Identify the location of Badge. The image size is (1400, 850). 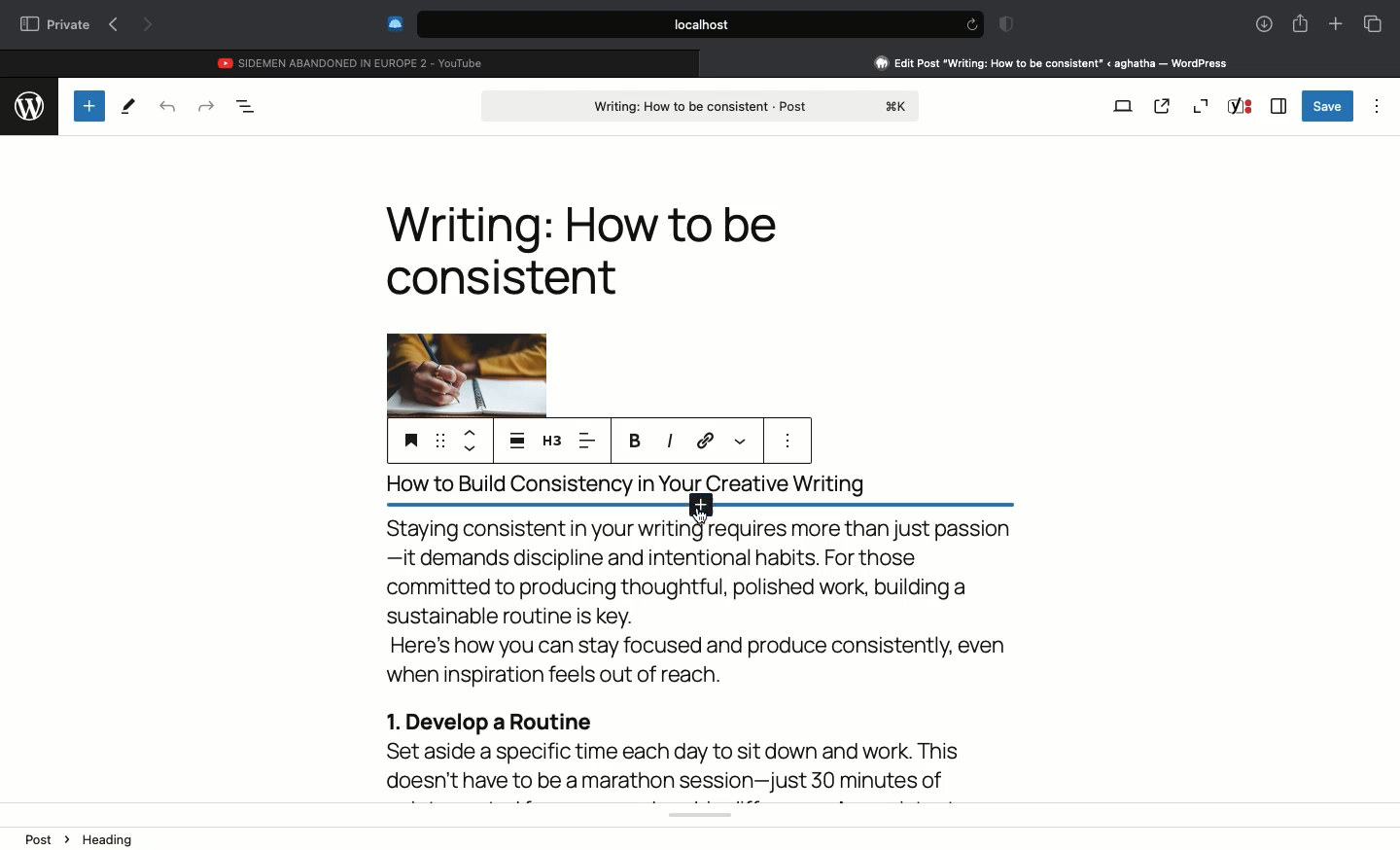
(1003, 25).